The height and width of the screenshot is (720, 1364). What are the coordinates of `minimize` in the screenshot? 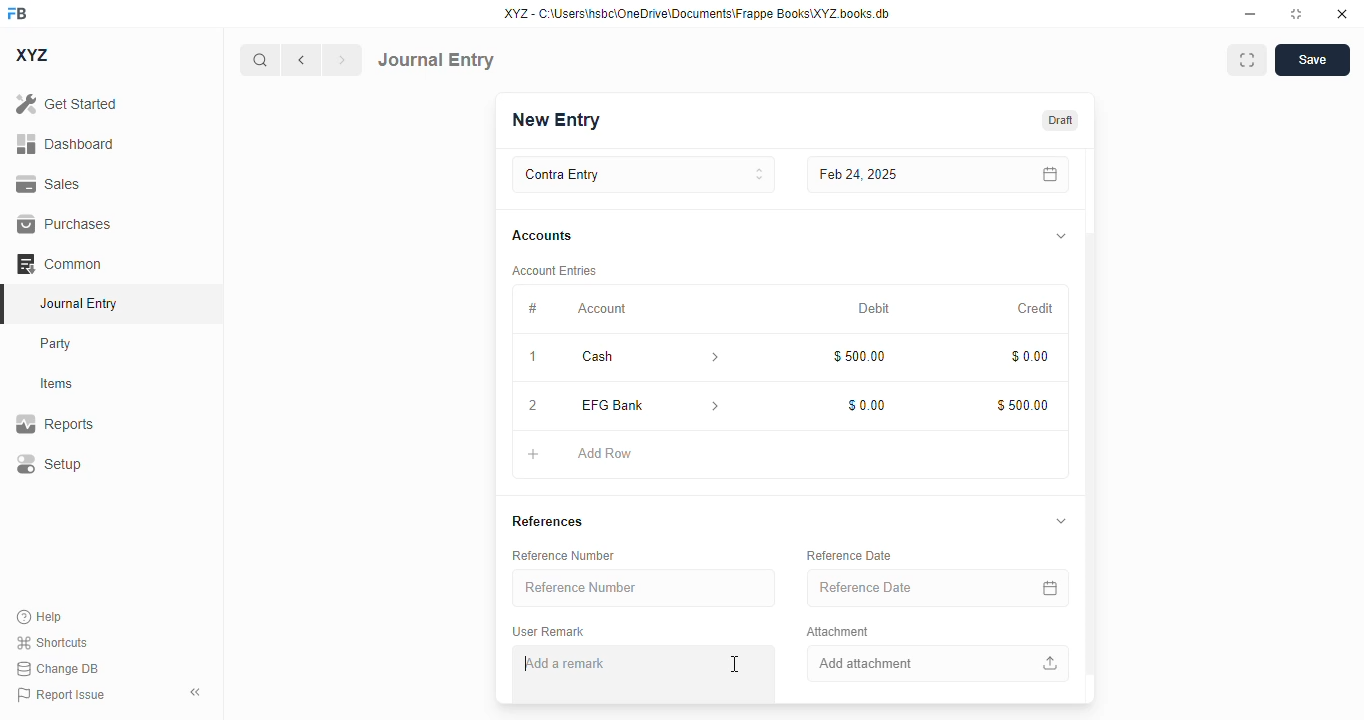 It's located at (1251, 14).